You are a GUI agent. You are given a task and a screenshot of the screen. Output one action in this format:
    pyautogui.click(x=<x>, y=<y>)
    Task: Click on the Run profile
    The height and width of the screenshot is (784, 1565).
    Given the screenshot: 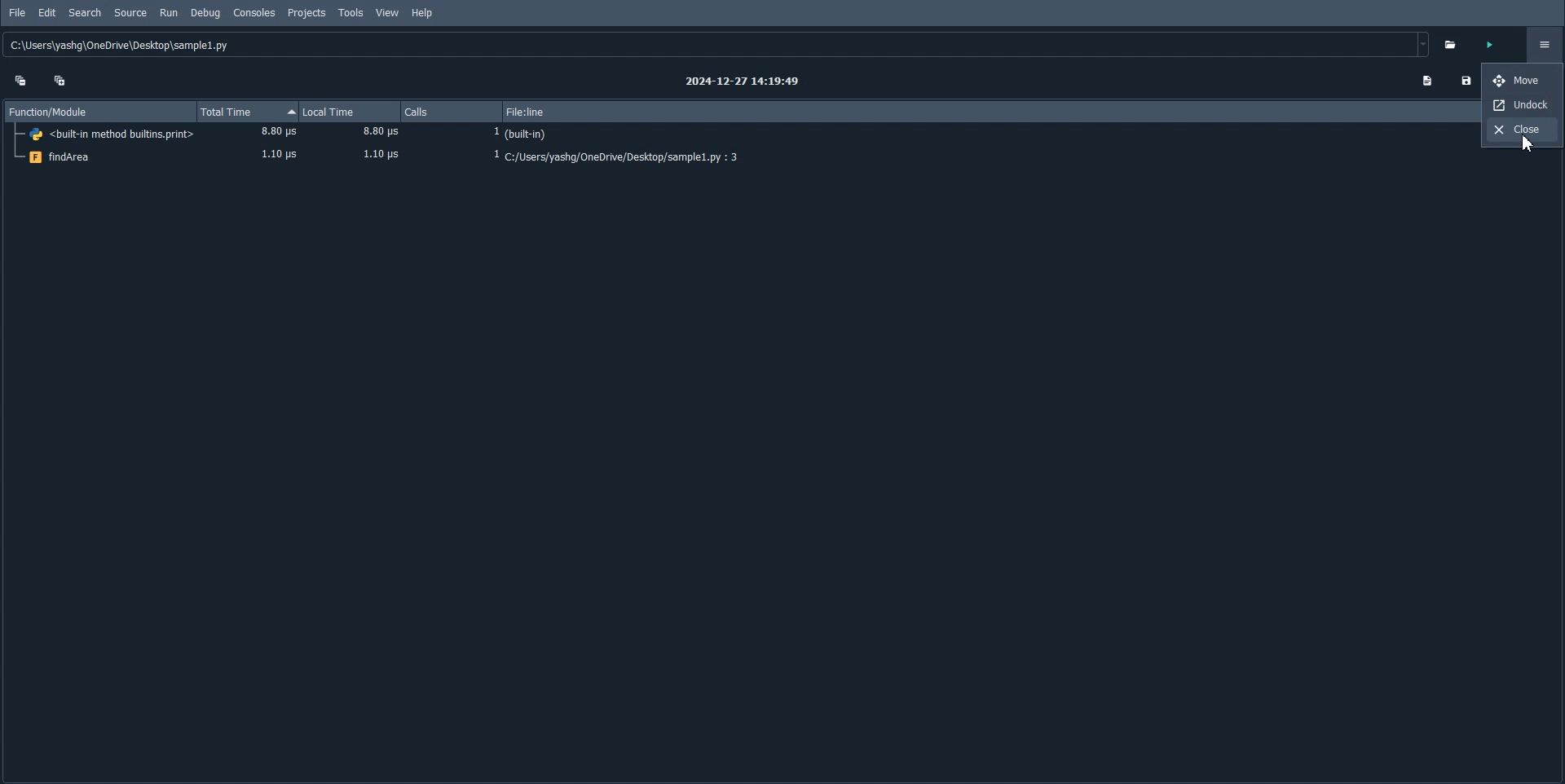 What is the action you would take?
    pyautogui.click(x=1490, y=46)
    